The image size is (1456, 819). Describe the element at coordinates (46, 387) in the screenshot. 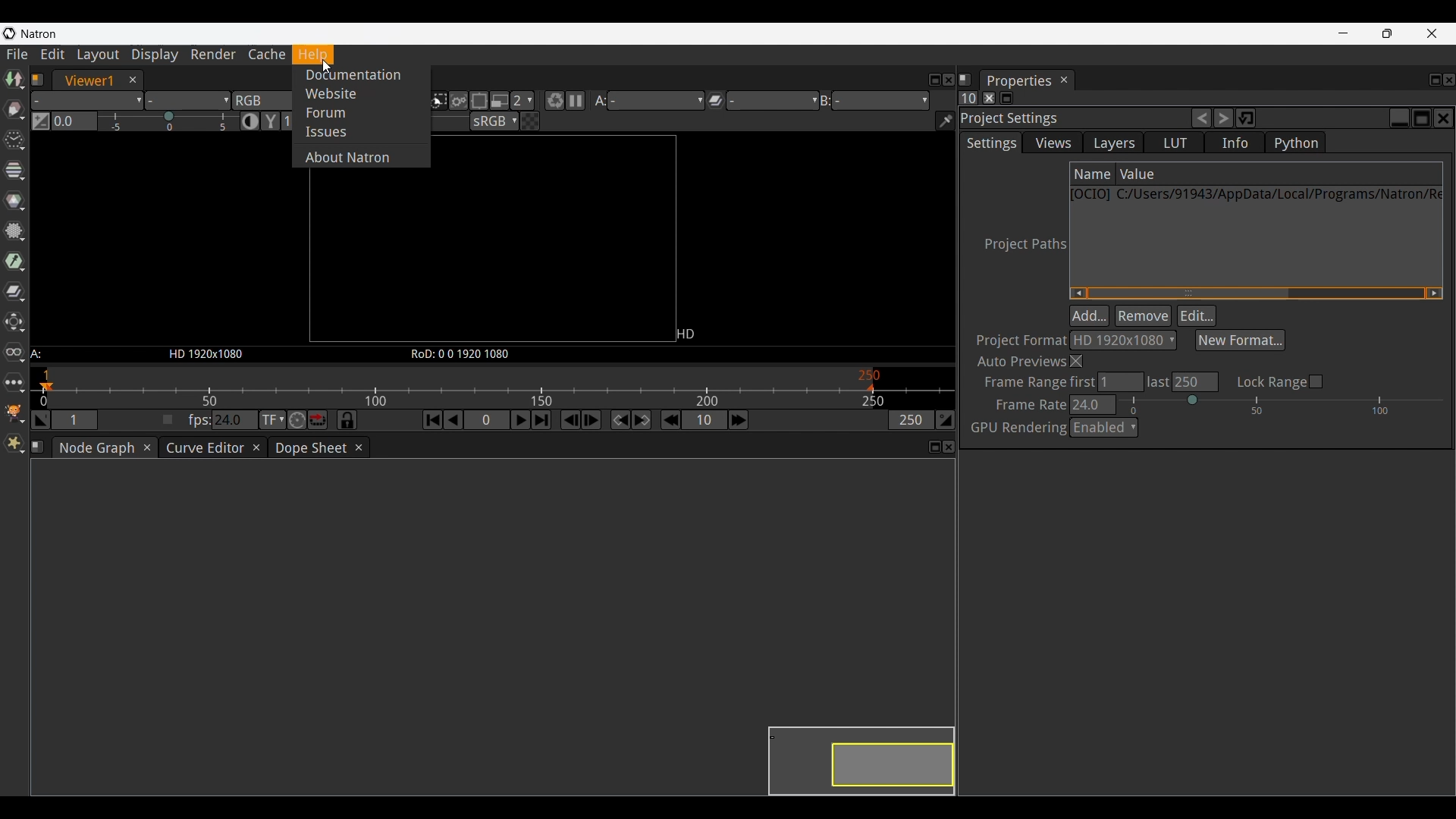

I see `Playback in pointer` at that location.